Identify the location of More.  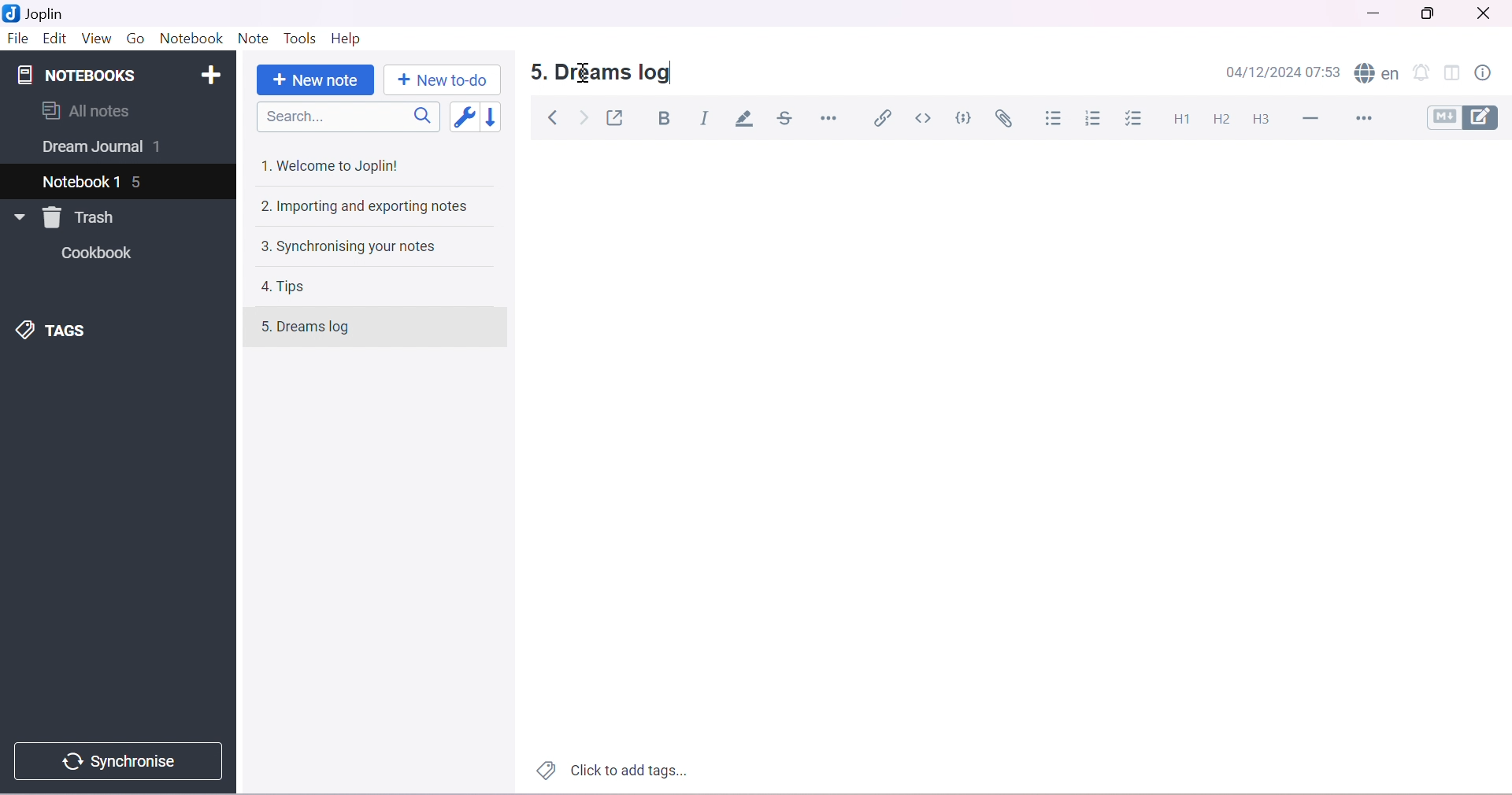
(1368, 120).